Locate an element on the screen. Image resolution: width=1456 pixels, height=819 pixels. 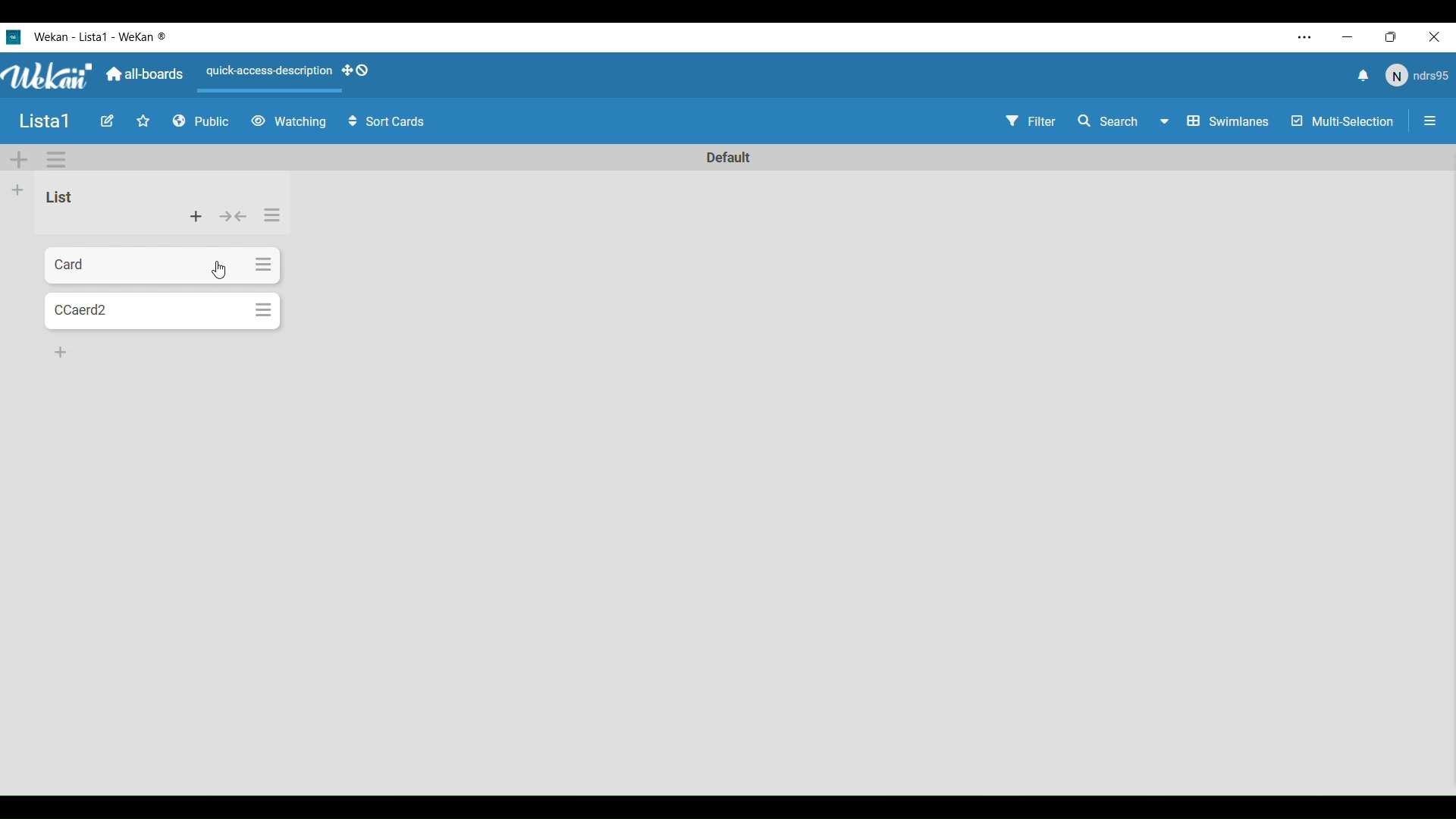
Name is located at coordinates (45, 122).